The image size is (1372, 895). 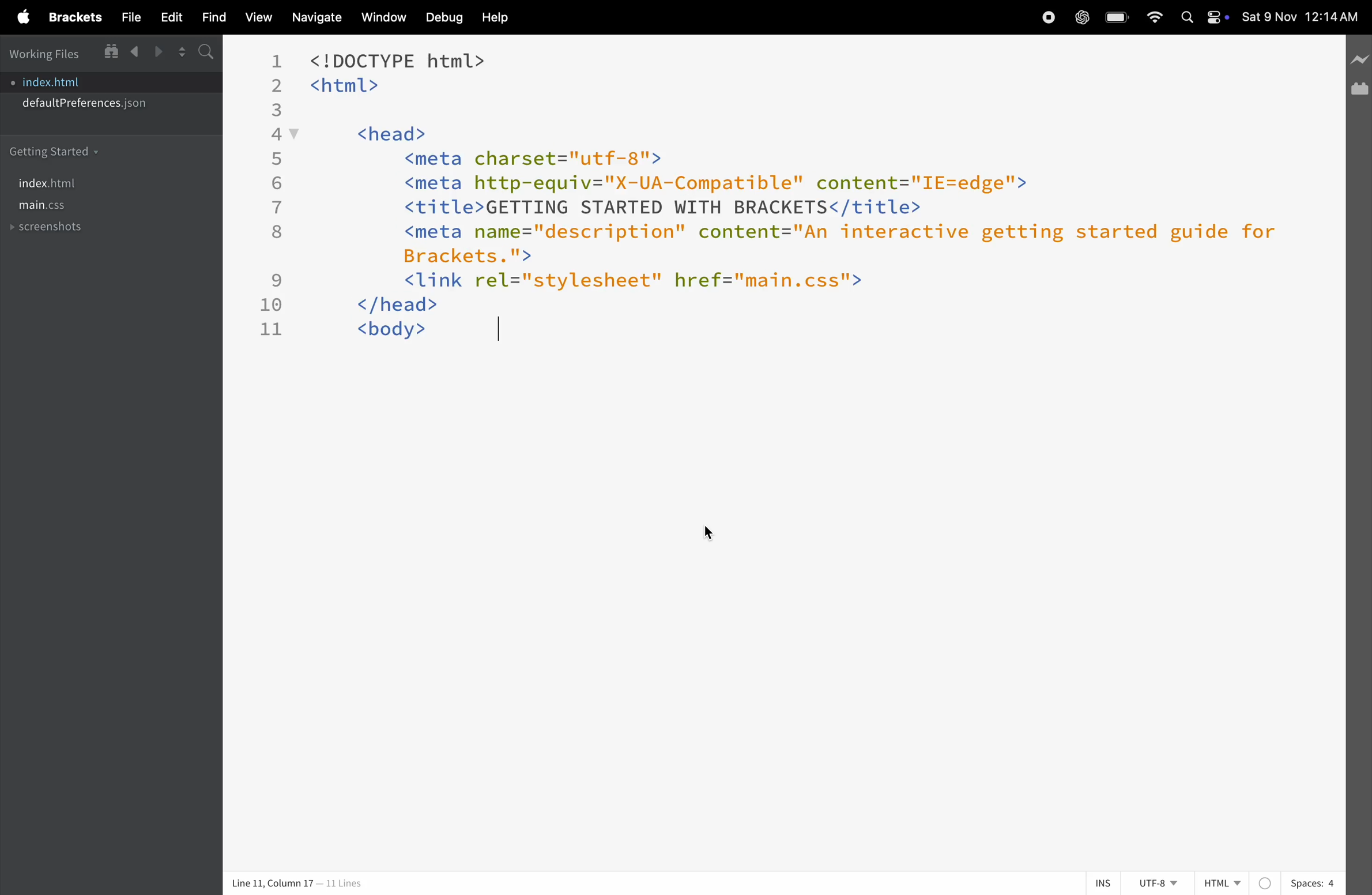 I want to click on Line 11, Column 17 — 11 Lines, so click(x=296, y=883).